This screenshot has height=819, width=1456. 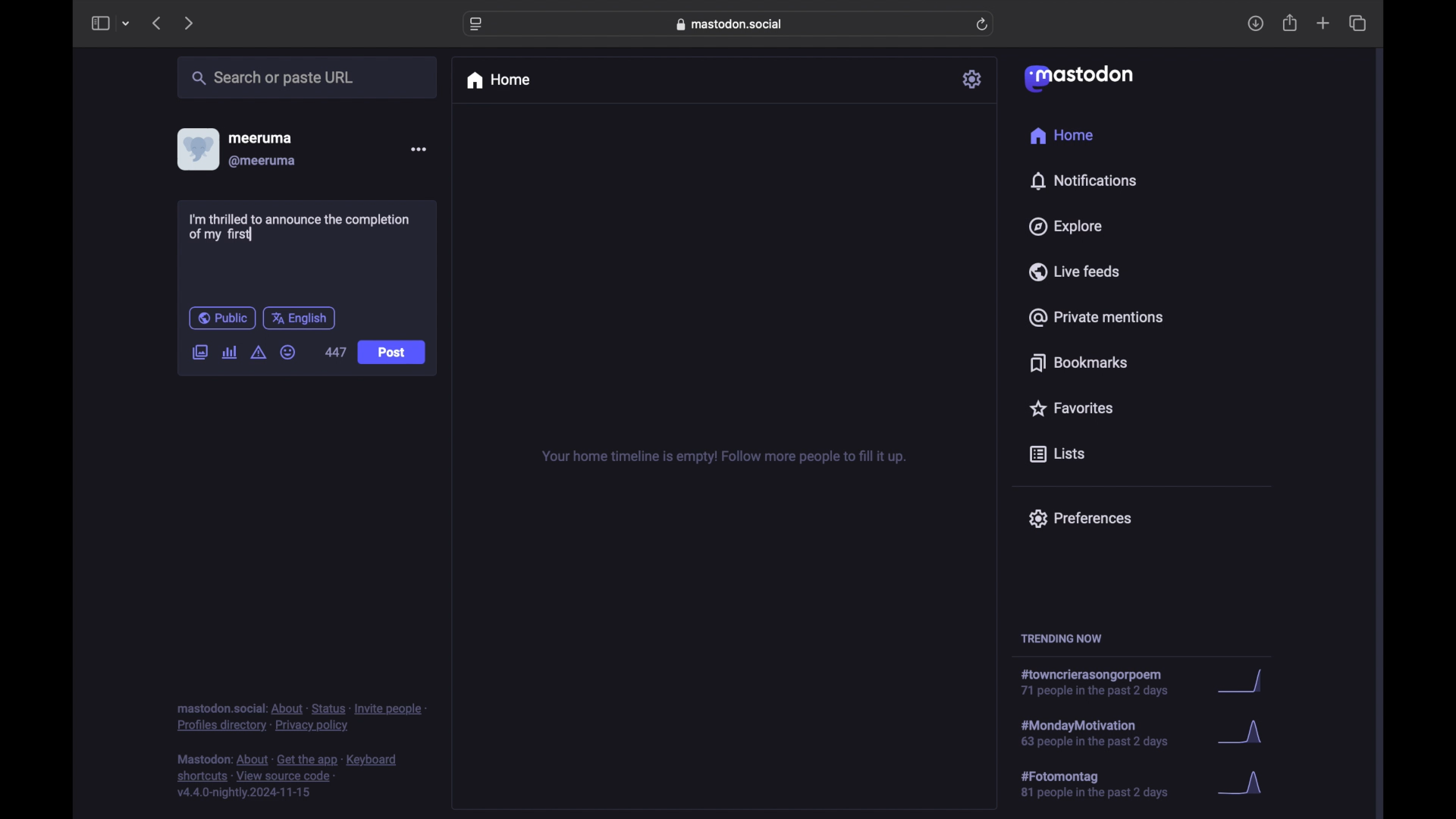 I want to click on more options, so click(x=418, y=149).